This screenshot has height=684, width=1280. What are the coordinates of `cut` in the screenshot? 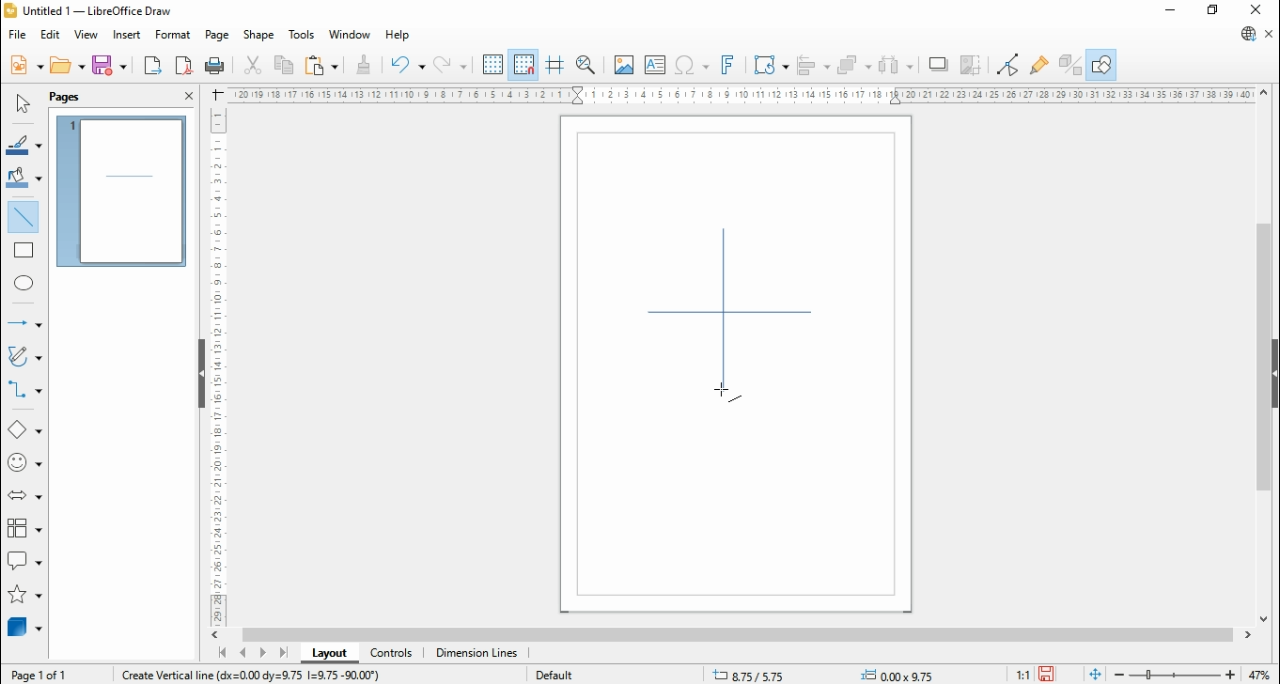 It's located at (254, 66).